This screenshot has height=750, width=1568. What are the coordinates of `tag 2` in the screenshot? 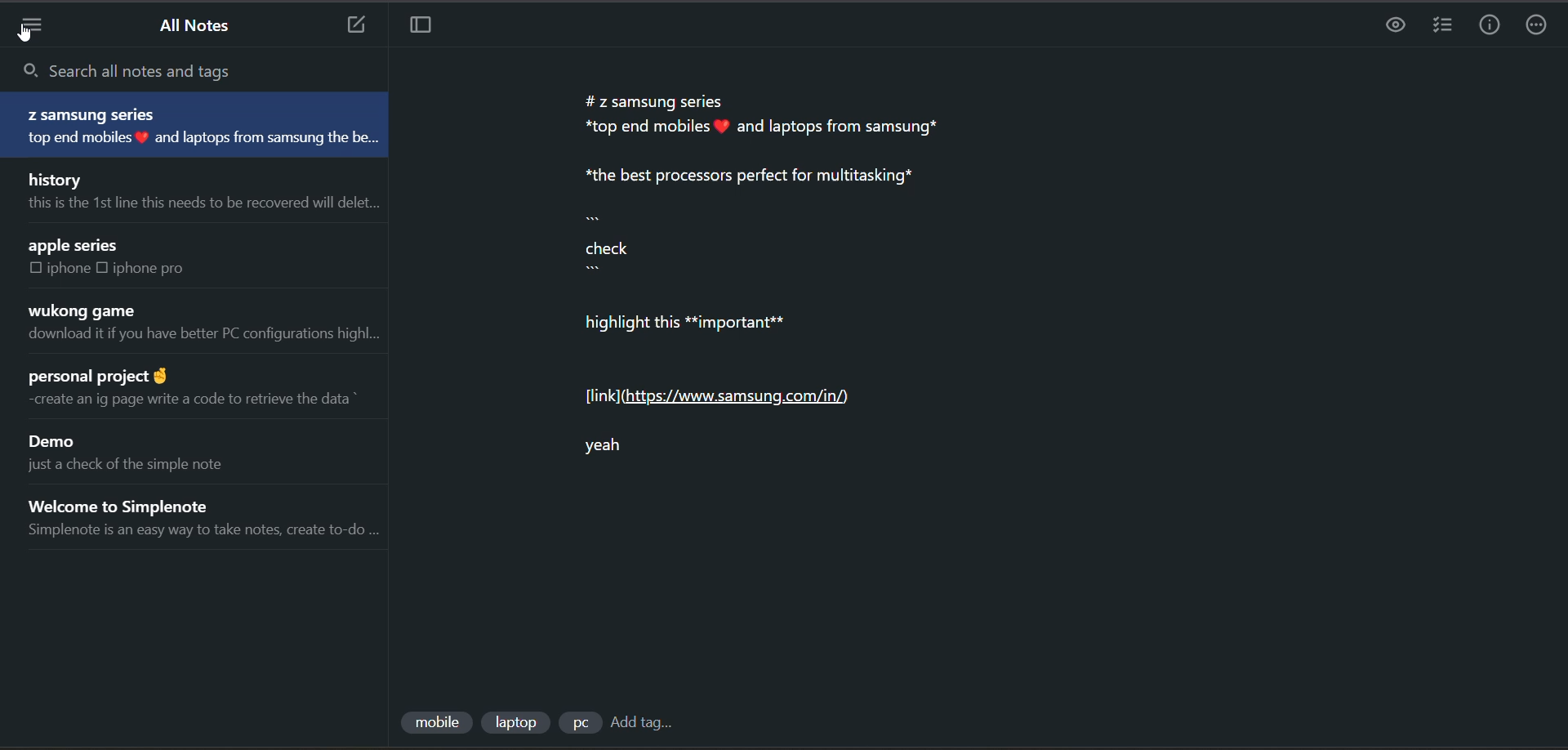 It's located at (517, 723).